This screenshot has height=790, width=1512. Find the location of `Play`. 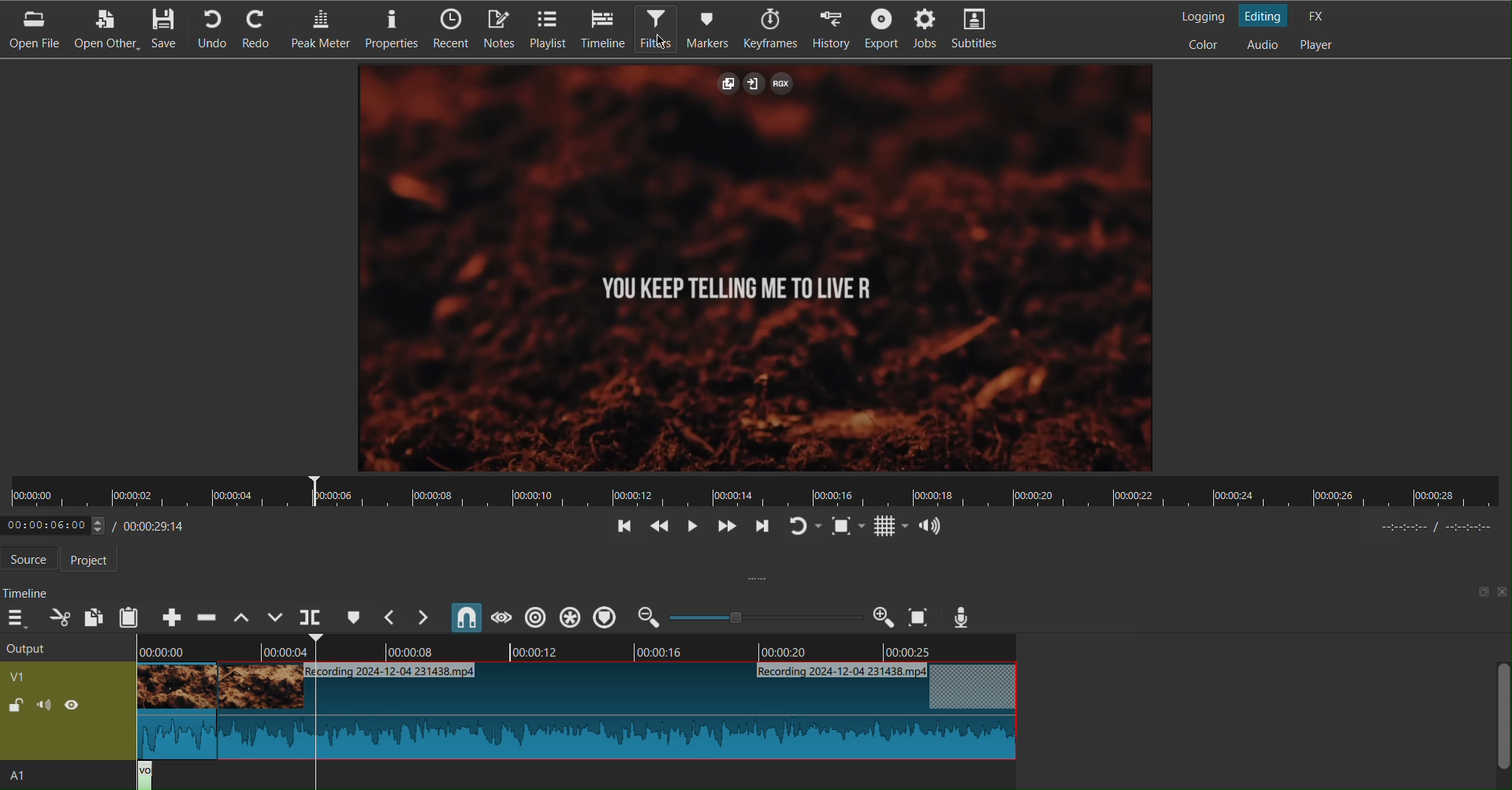

Play is located at coordinates (690, 527).